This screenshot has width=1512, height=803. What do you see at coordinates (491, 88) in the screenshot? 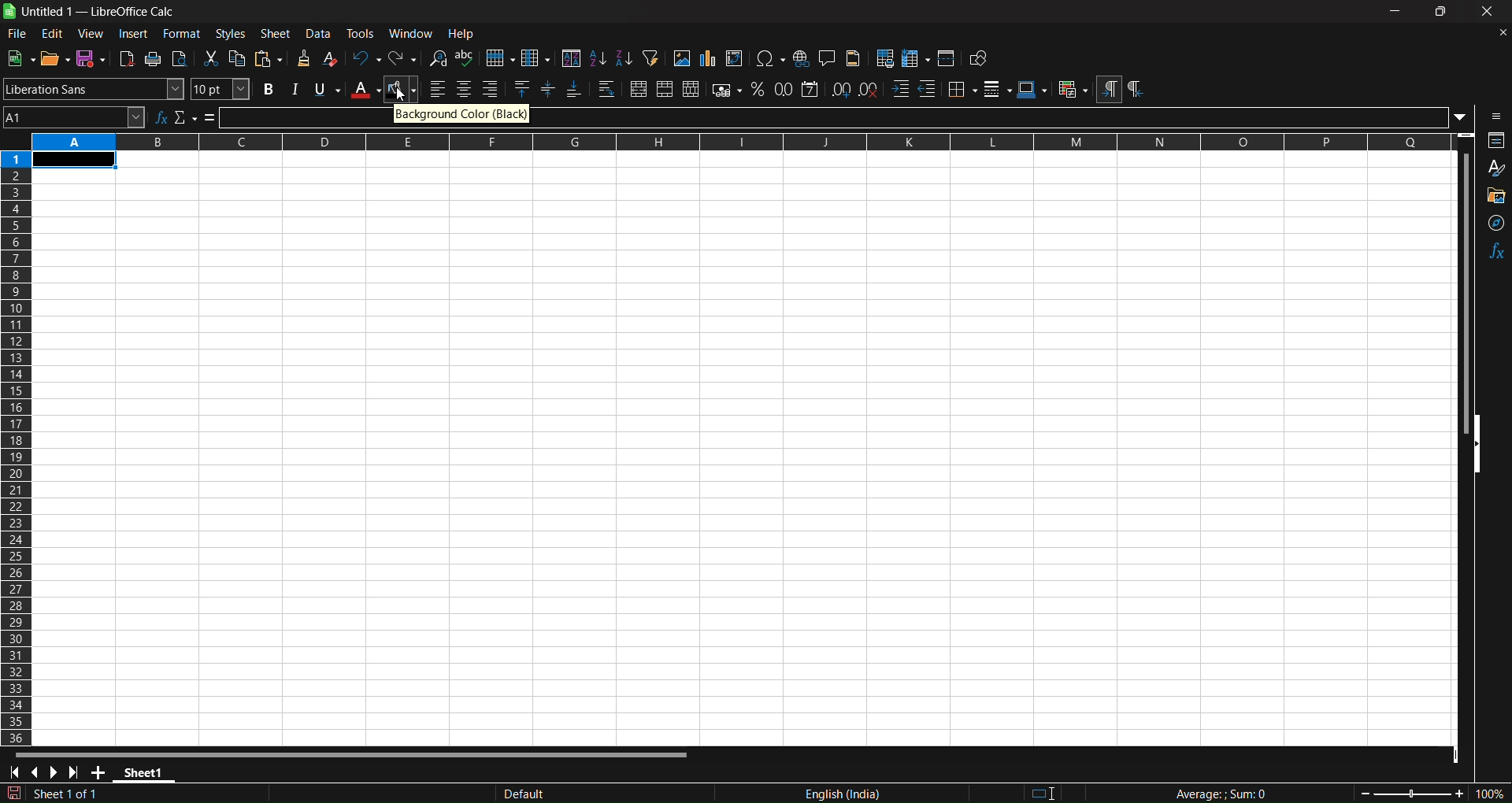
I see `align right` at bounding box center [491, 88].